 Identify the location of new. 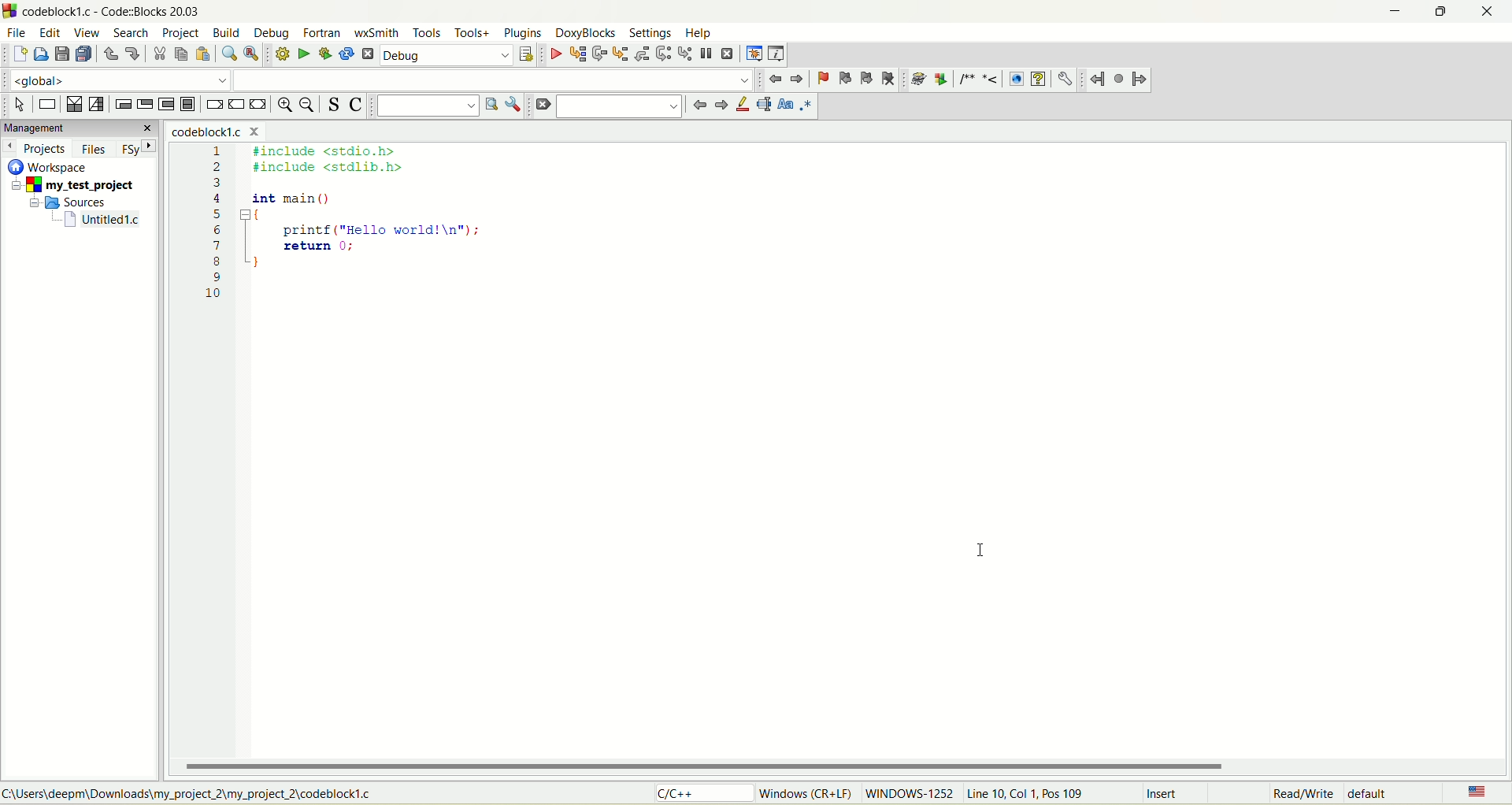
(18, 55).